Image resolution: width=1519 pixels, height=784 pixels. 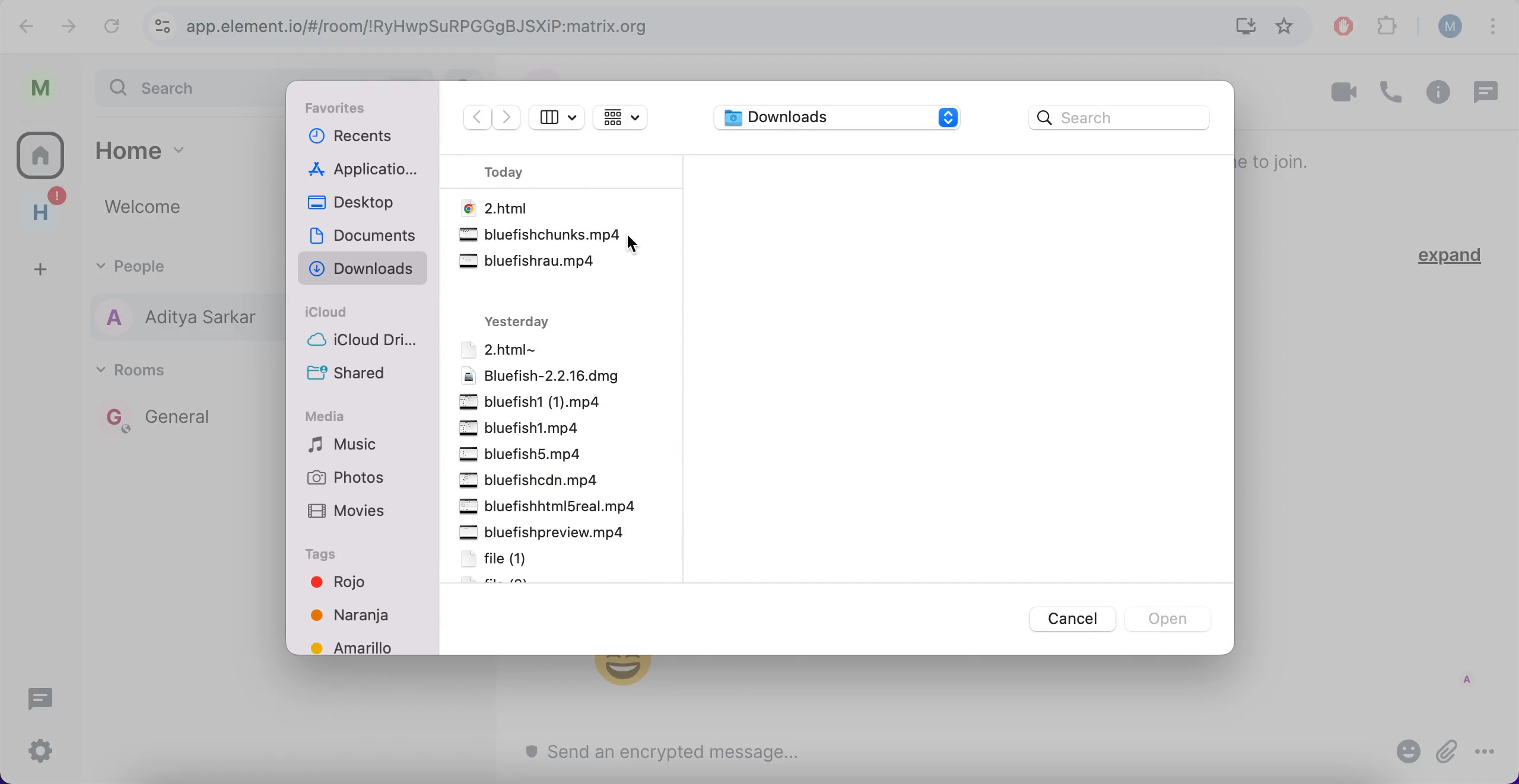 I want to click on call, so click(x=1385, y=96).